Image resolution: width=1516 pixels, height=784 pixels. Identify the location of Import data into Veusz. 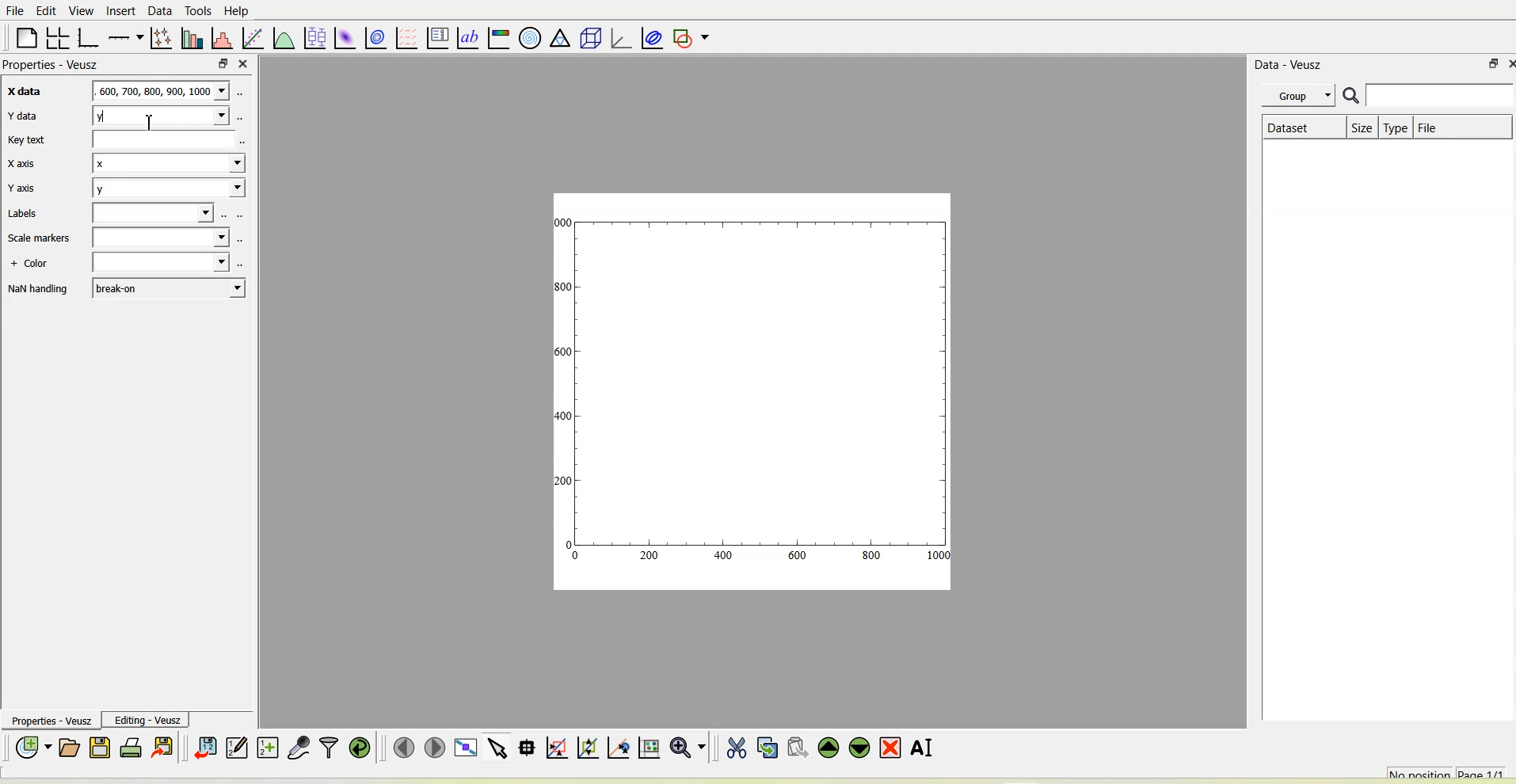
(205, 748).